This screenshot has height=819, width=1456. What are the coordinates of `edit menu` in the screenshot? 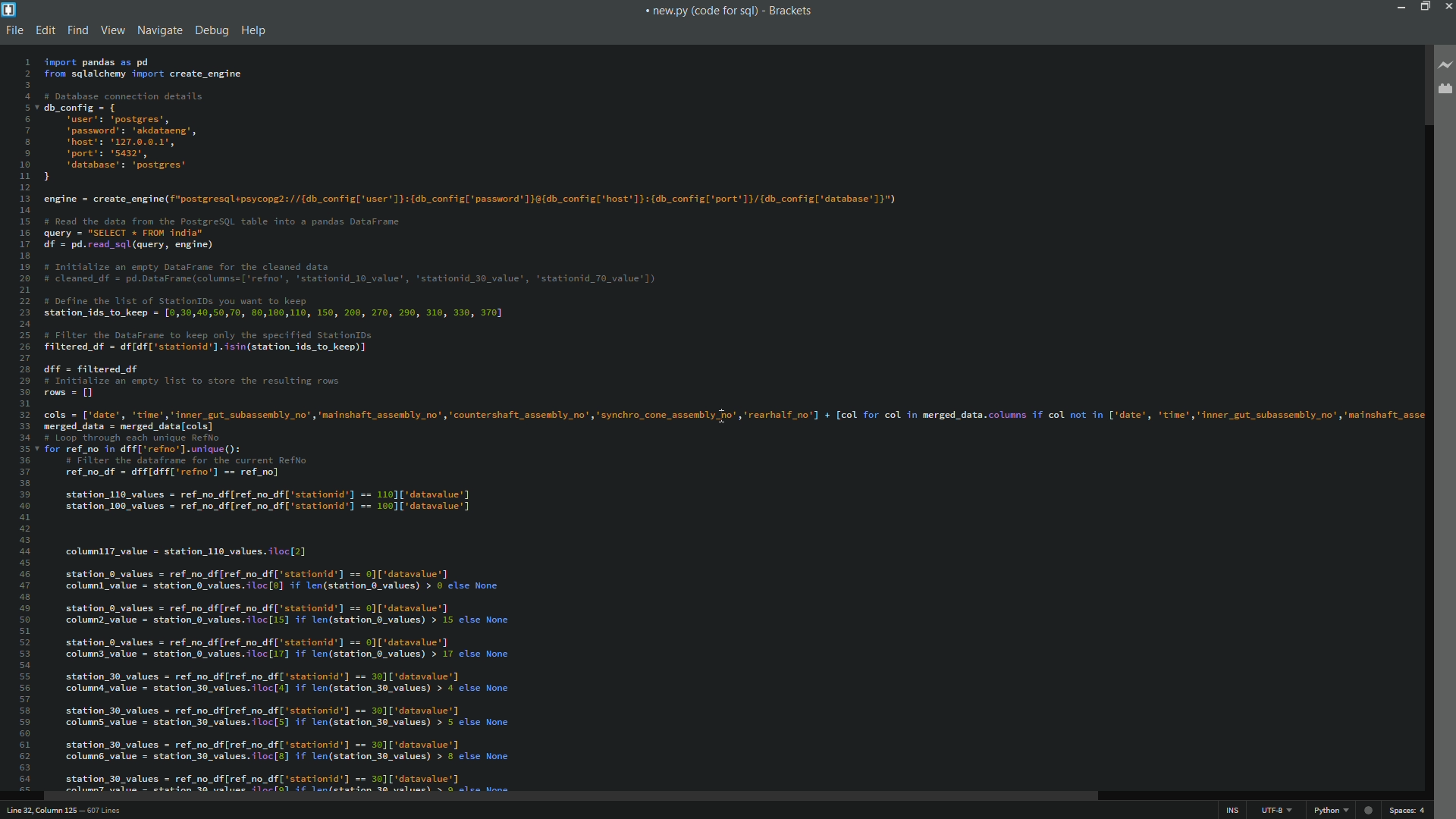 It's located at (47, 30).